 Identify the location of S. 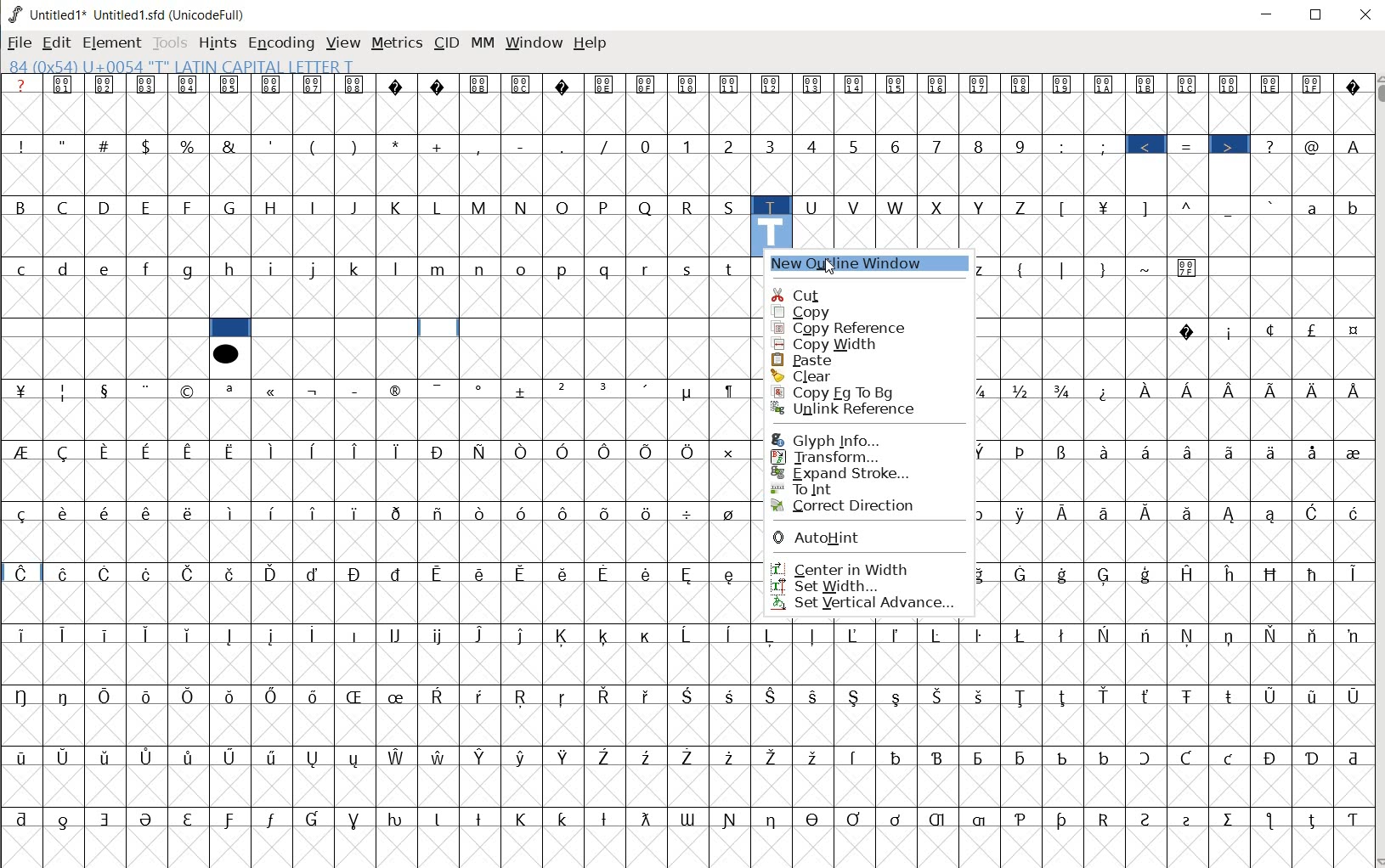
(732, 206).